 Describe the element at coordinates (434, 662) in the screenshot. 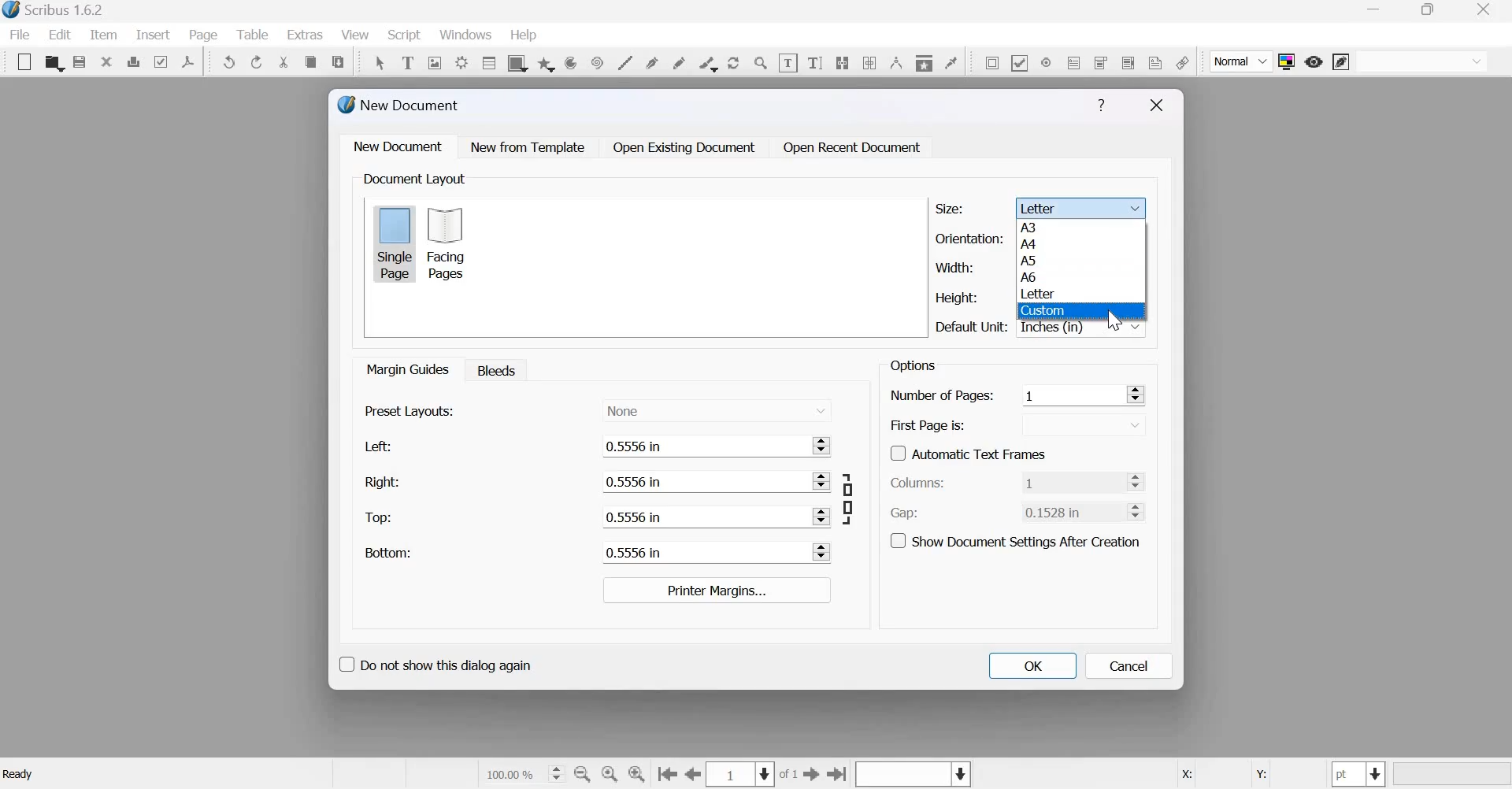

I see `Do not show this dialog again` at that location.